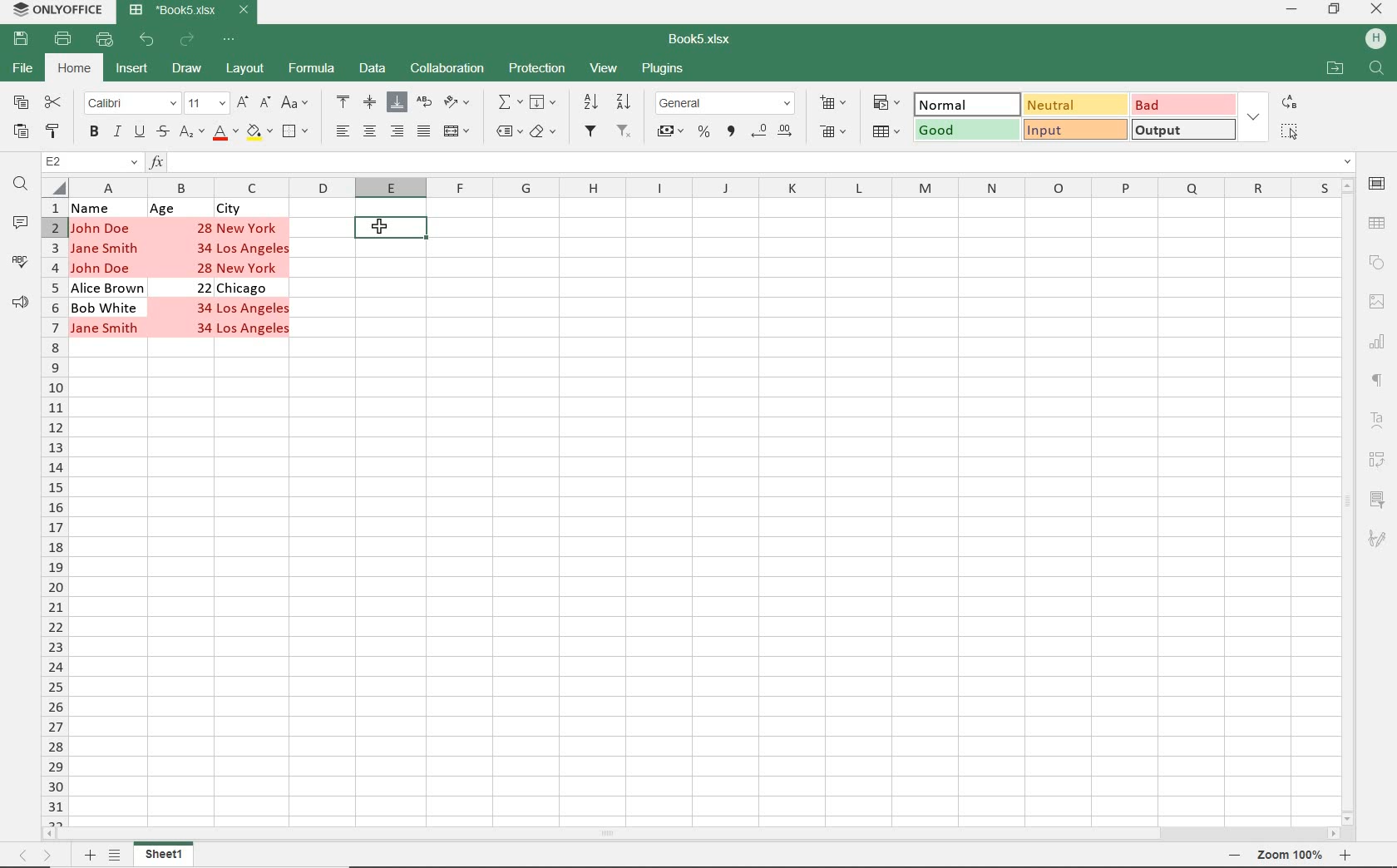 This screenshot has height=868, width=1397. Describe the element at coordinates (296, 104) in the screenshot. I see `CHANGE CASE` at that location.